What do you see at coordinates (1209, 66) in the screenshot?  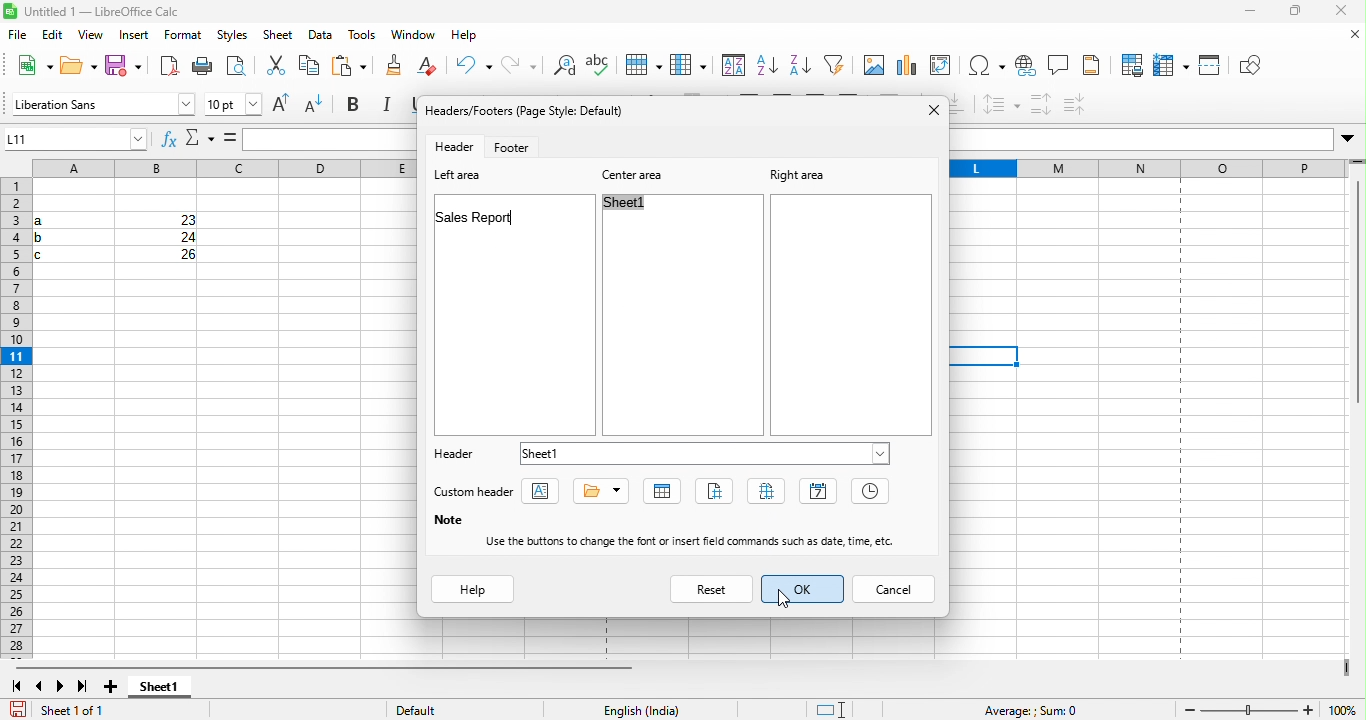 I see `split window` at bounding box center [1209, 66].